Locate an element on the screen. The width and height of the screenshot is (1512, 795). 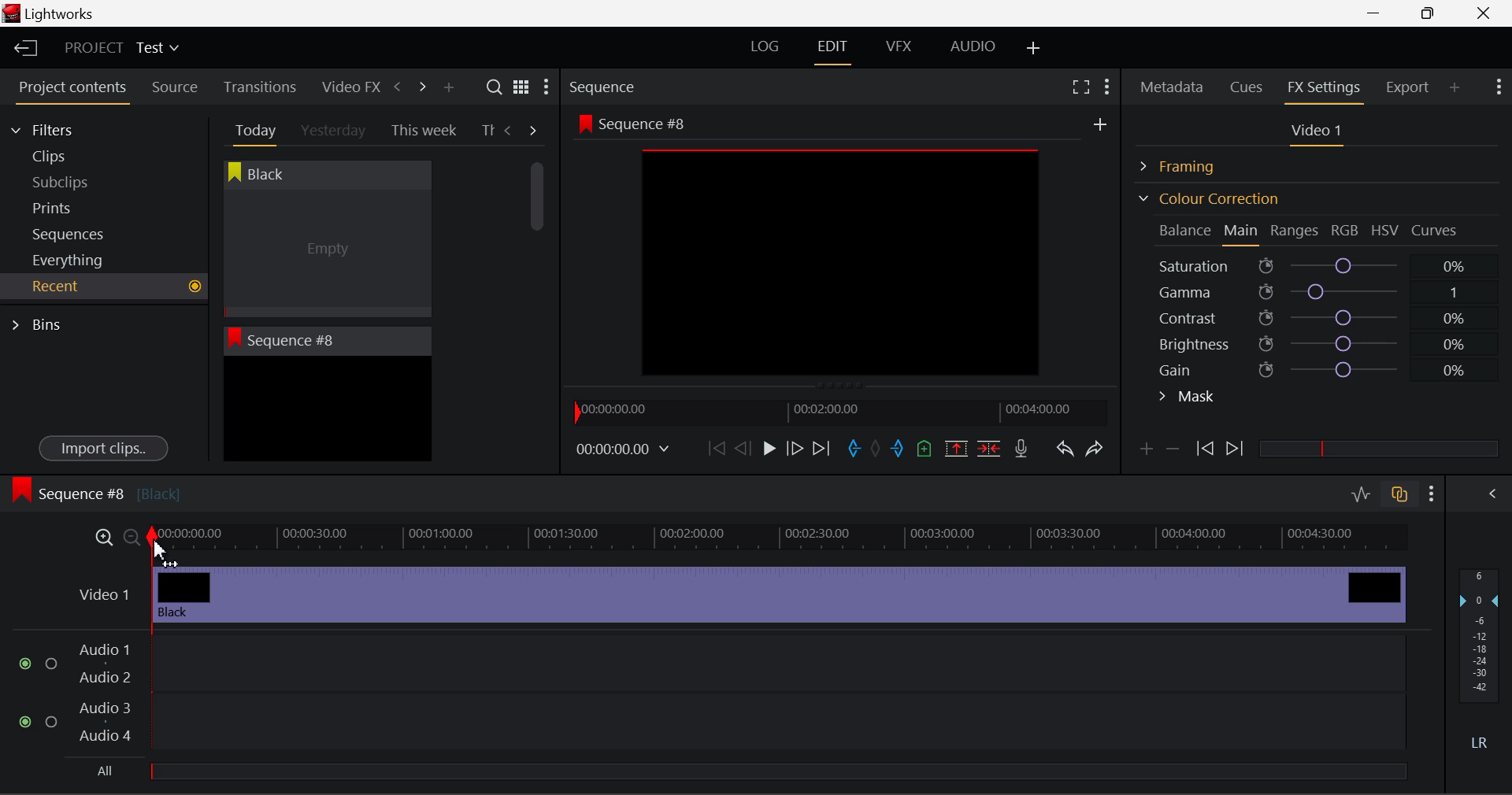
Close is located at coordinates (1487, 13).